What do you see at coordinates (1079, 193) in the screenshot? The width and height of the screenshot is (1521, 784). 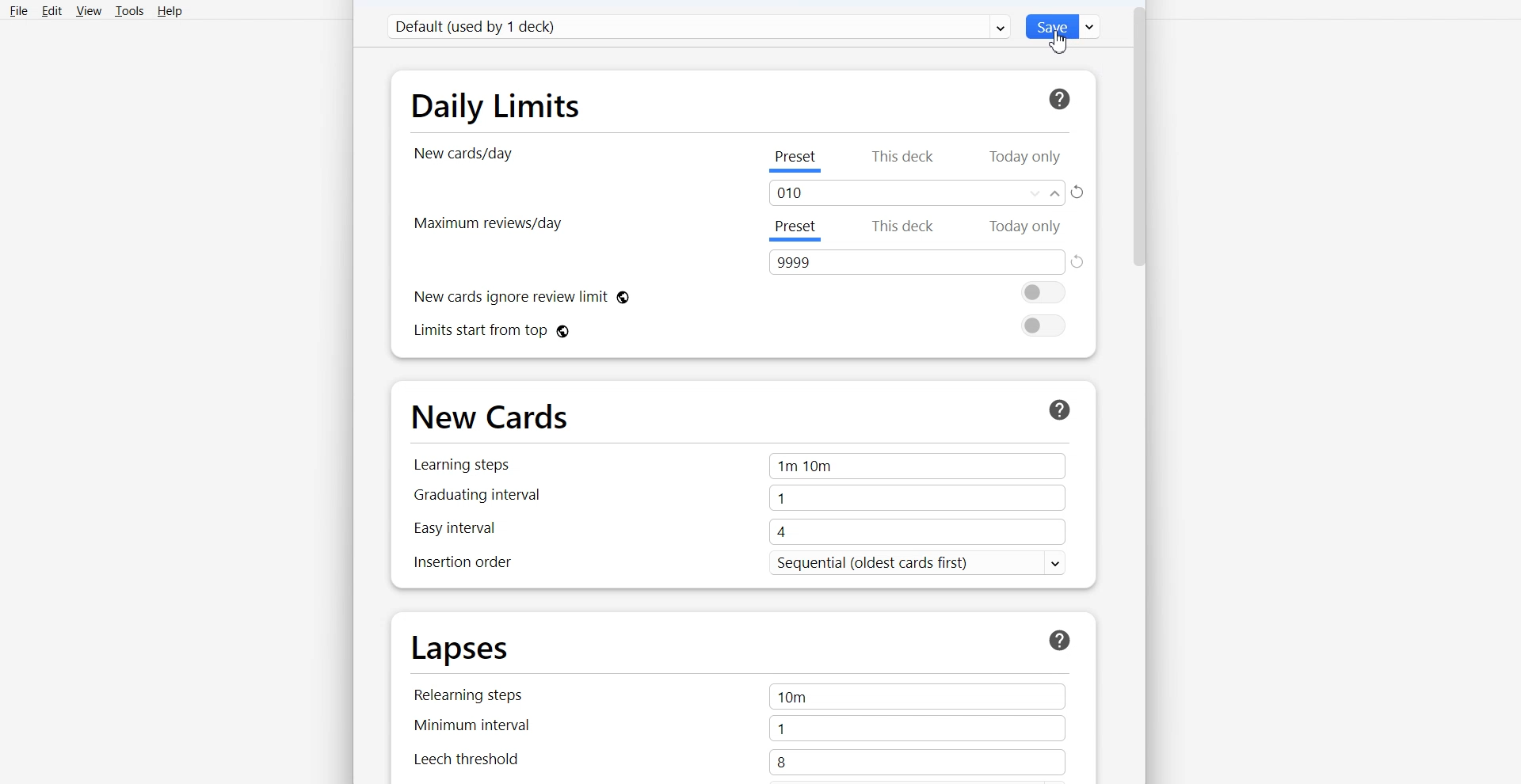 I see `Rest` at bounding box center [1079, 193].